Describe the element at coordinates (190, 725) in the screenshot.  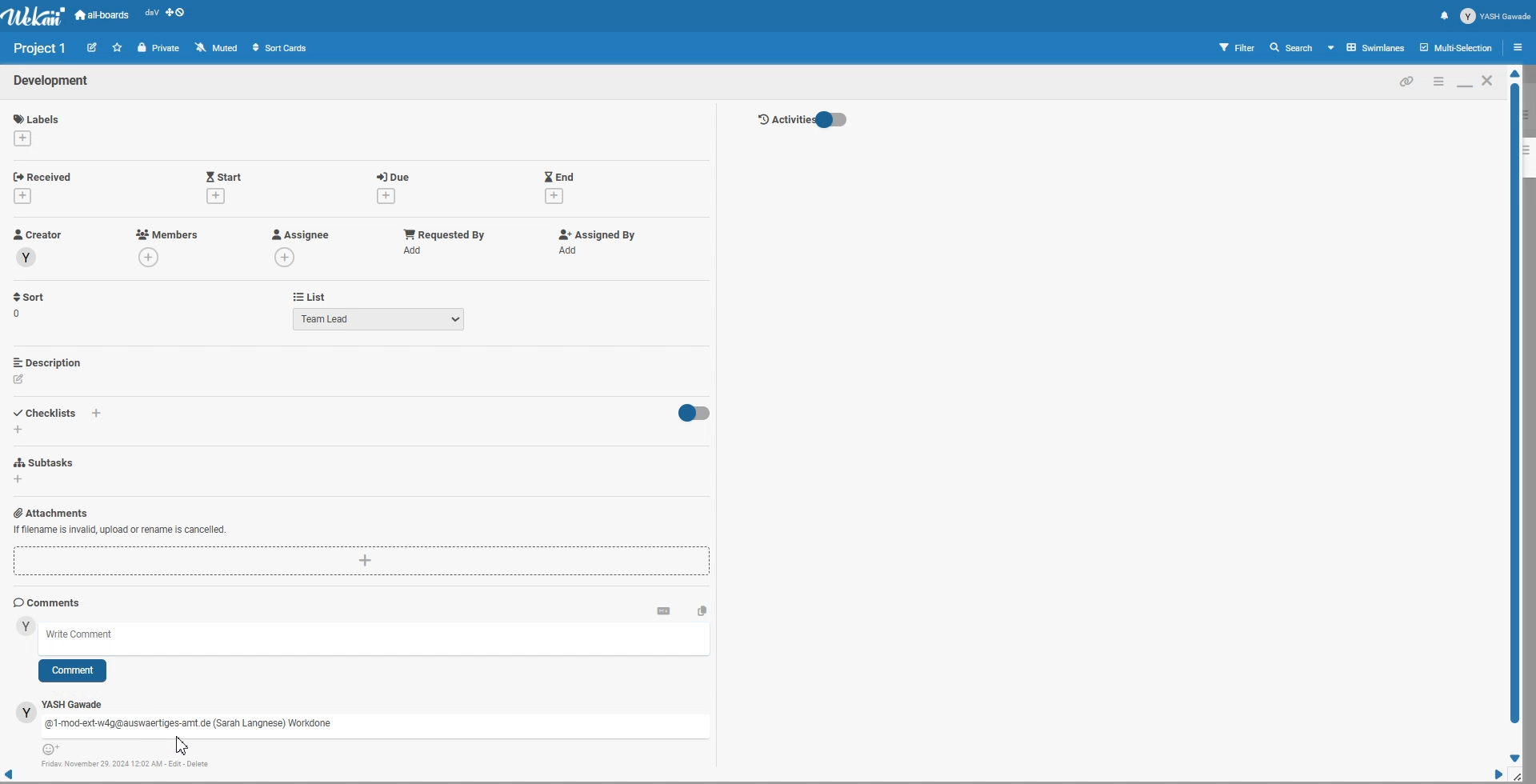
I see `text` at that location.